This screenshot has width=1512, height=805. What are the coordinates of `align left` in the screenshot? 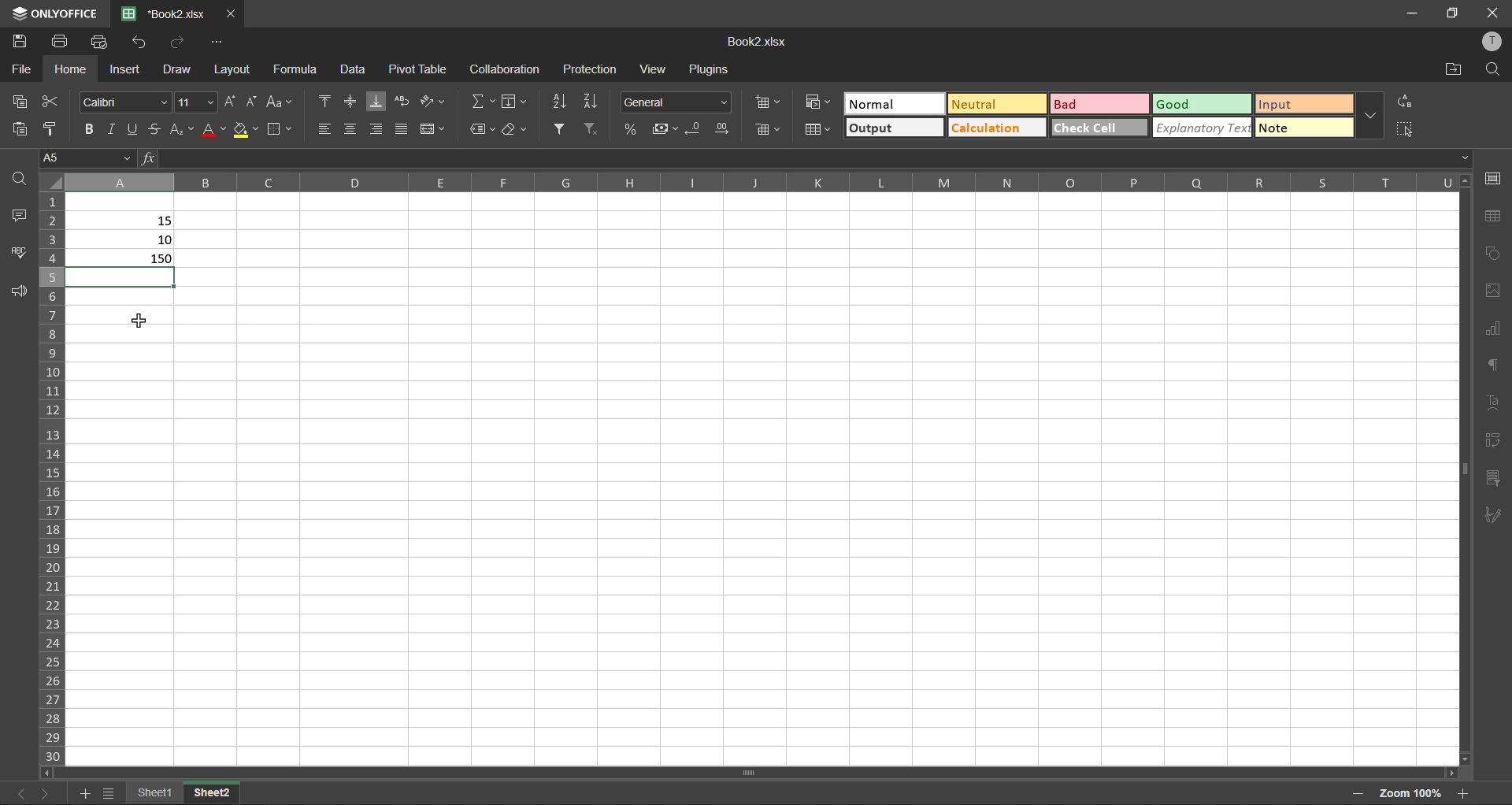 It's located at (328, 129).